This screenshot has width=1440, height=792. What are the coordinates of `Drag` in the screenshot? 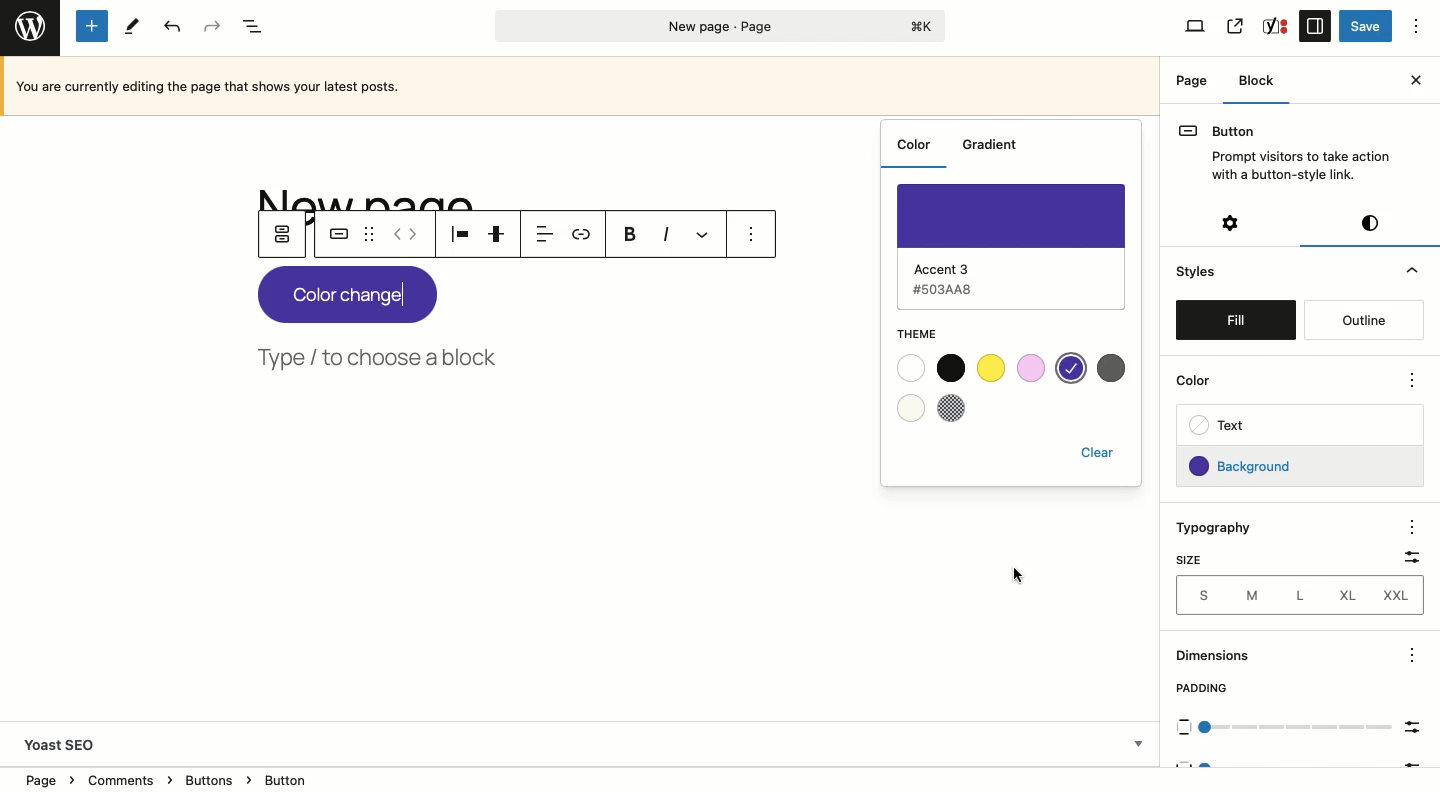 It's located at (368, 235).